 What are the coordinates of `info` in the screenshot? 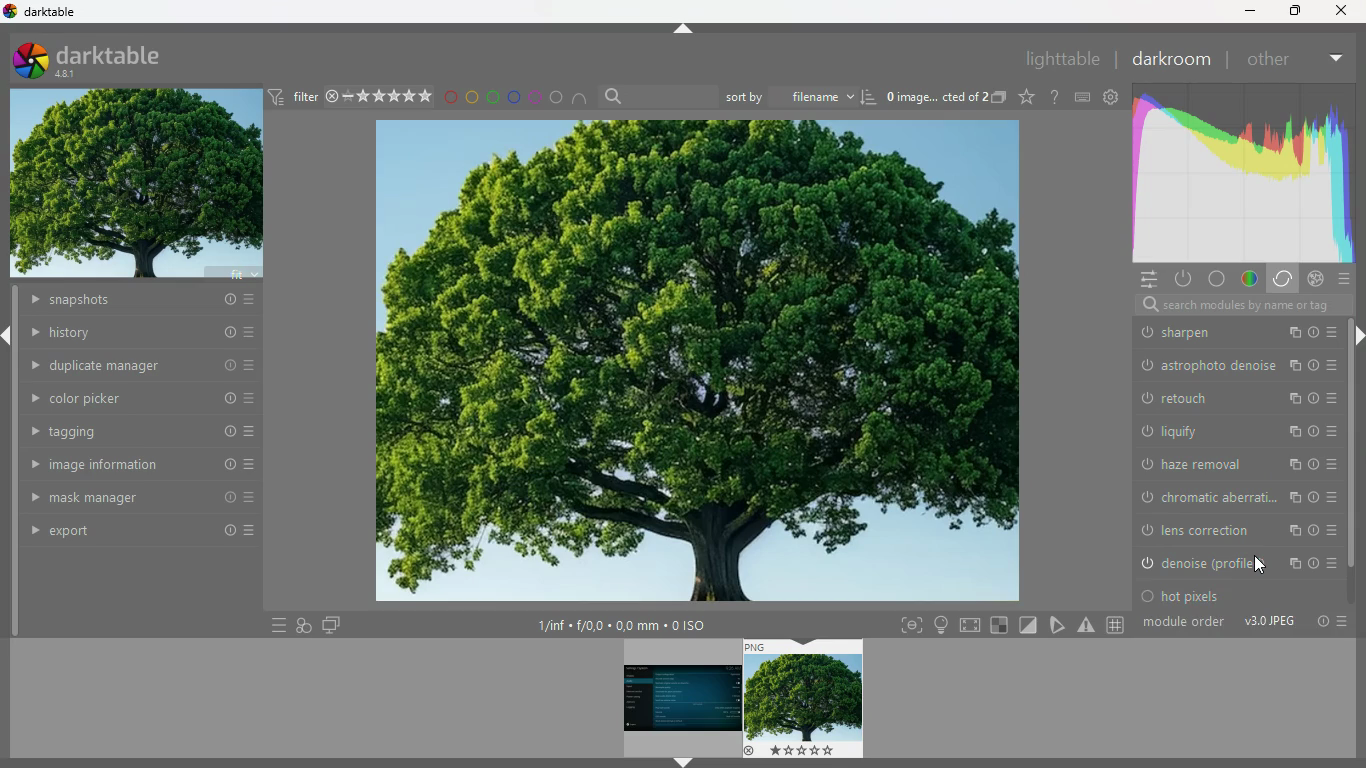 It's located at (1288, 394).